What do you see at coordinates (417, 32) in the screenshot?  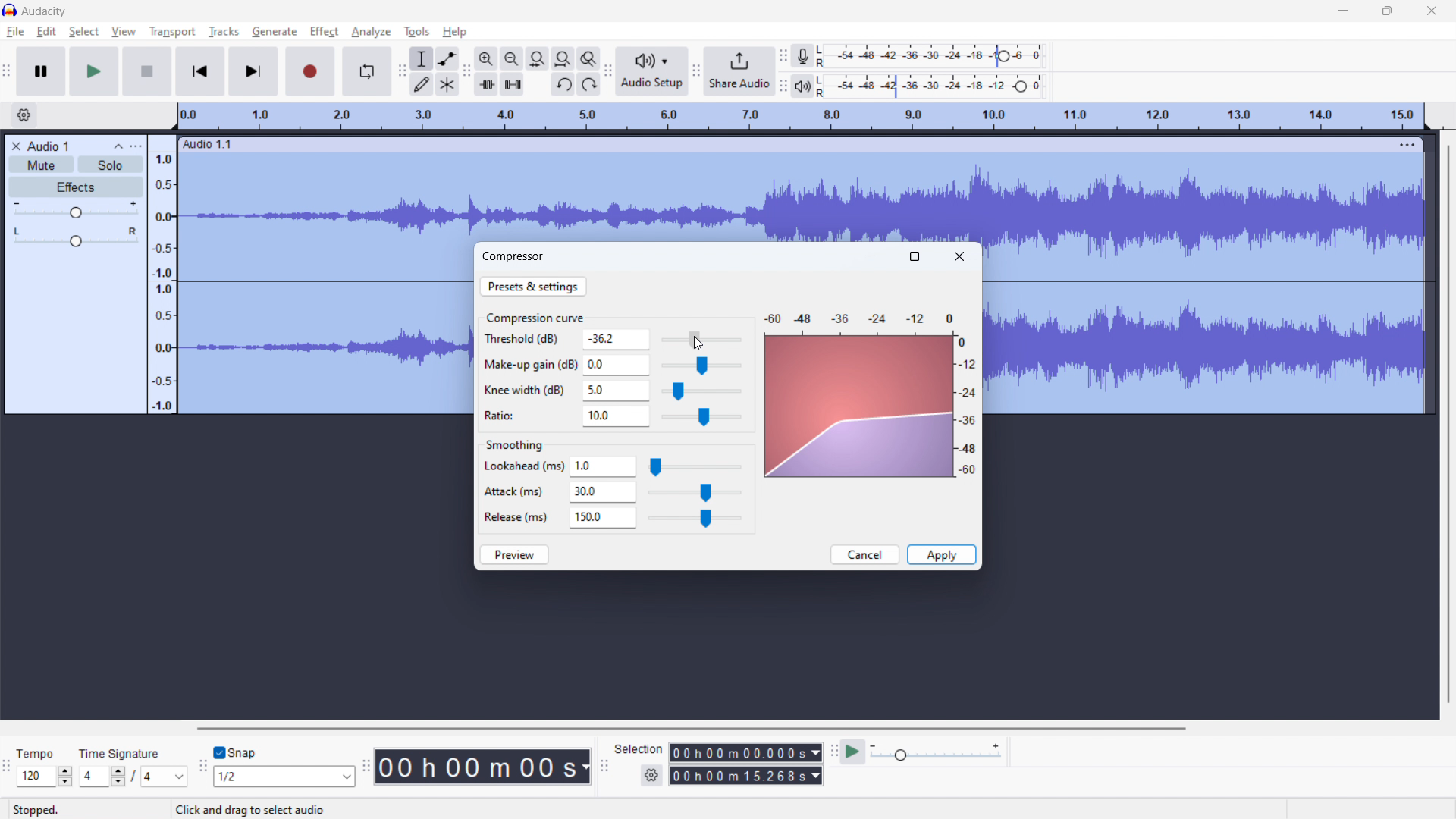 I see `tools` at bounding box center [417, 32].